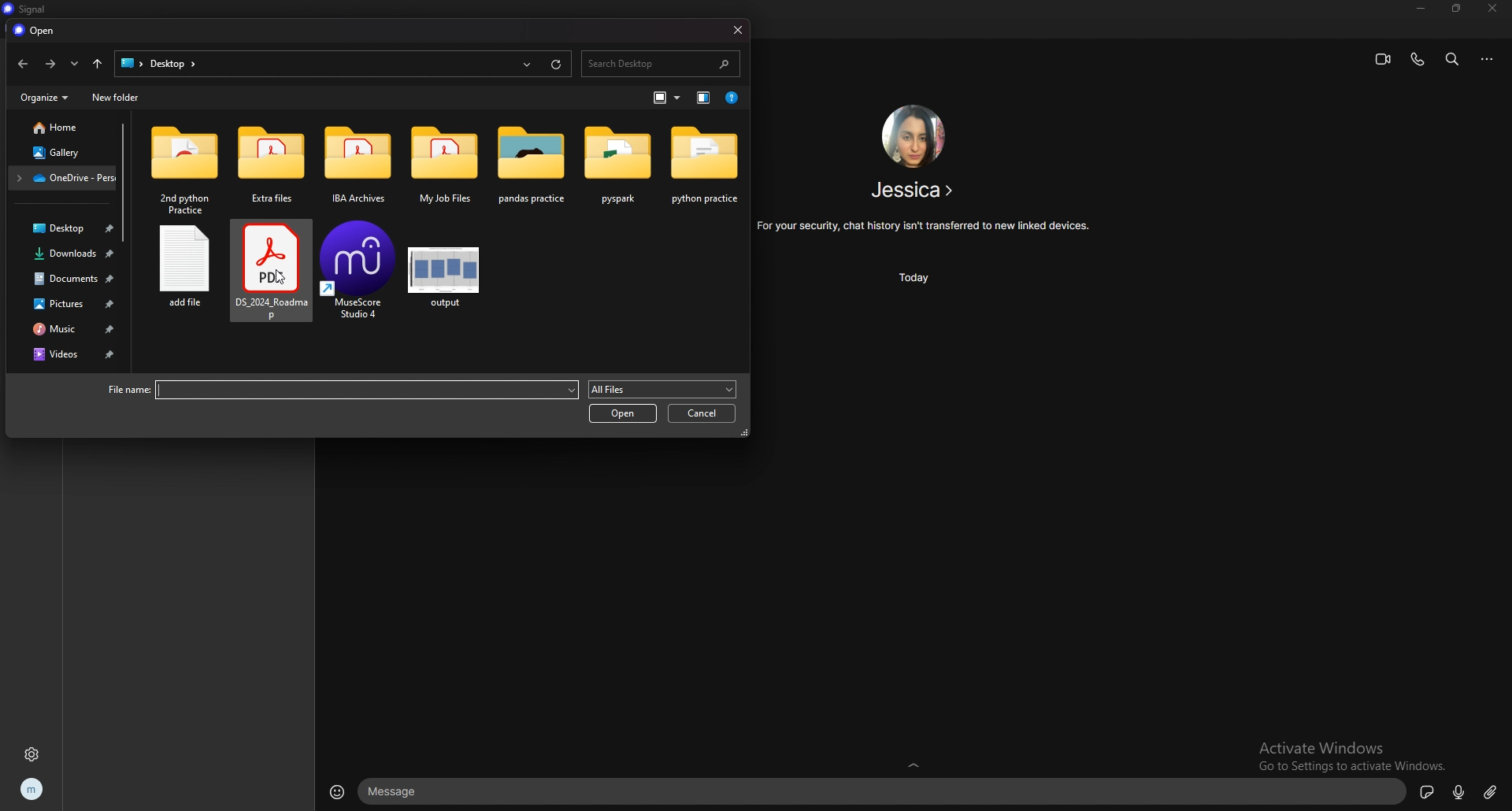  Describe the element at coordinates (69, 328) in the screenshot. I see `music` at that location.